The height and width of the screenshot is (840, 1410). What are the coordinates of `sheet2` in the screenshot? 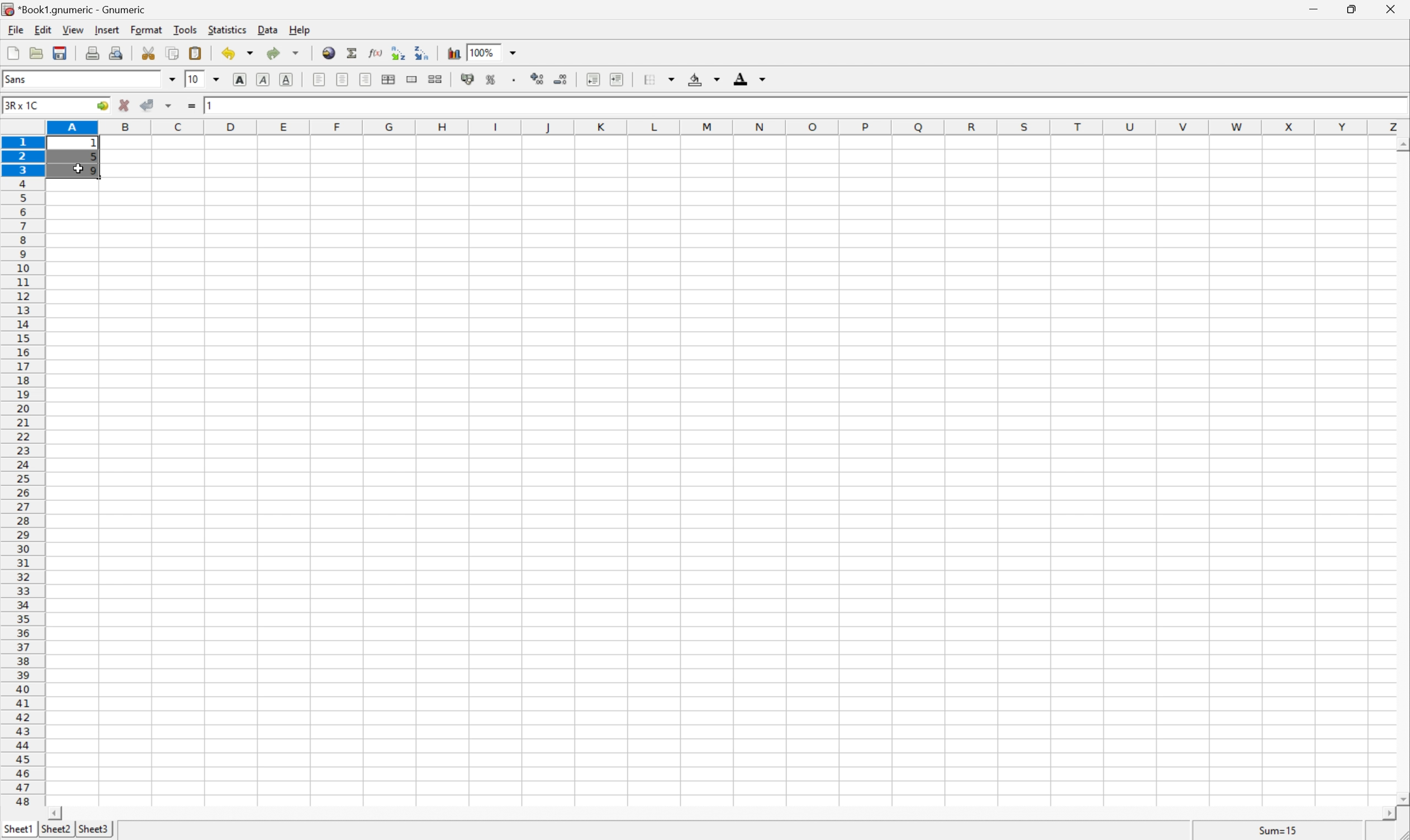 It's located at (55, 832).